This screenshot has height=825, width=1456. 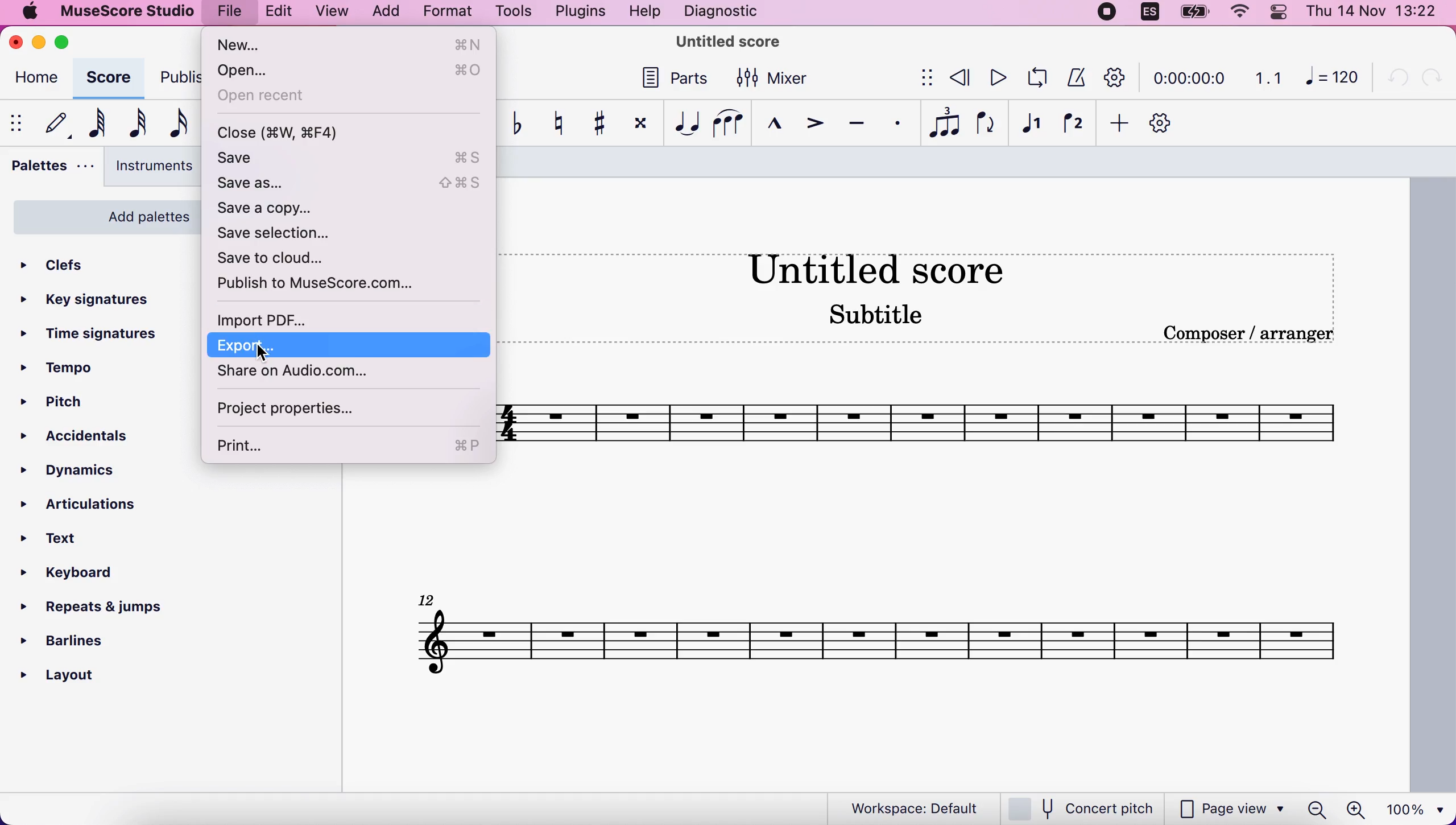 What do you see at coordinates (1145, 13) in the screenshot?
I see `language` at bounding box center [1145, 13].